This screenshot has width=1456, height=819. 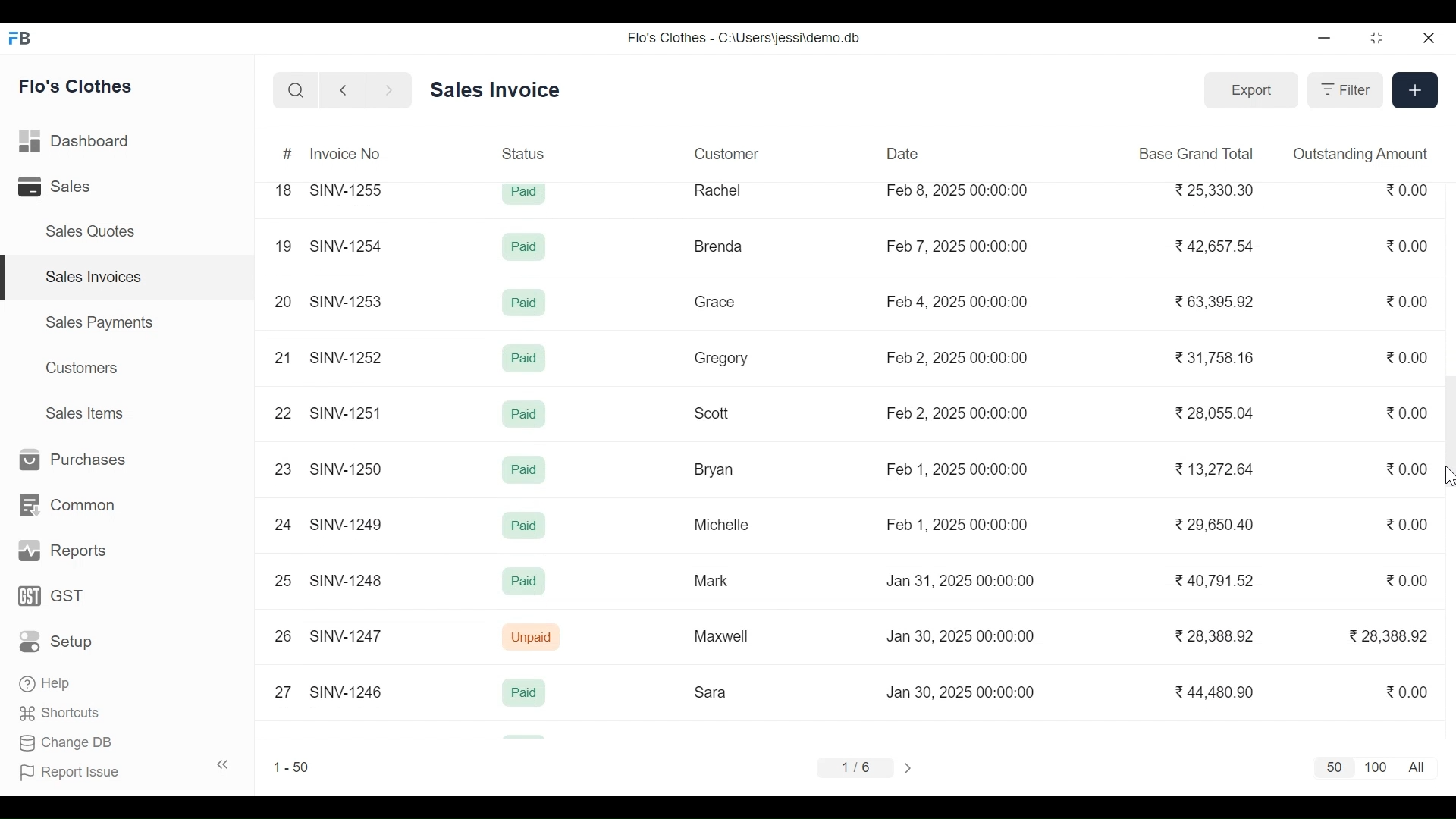 What do you see at coordinates (347, 413) in the screenshot?
I see `SINV-1251` at bounding box center [347, 413].